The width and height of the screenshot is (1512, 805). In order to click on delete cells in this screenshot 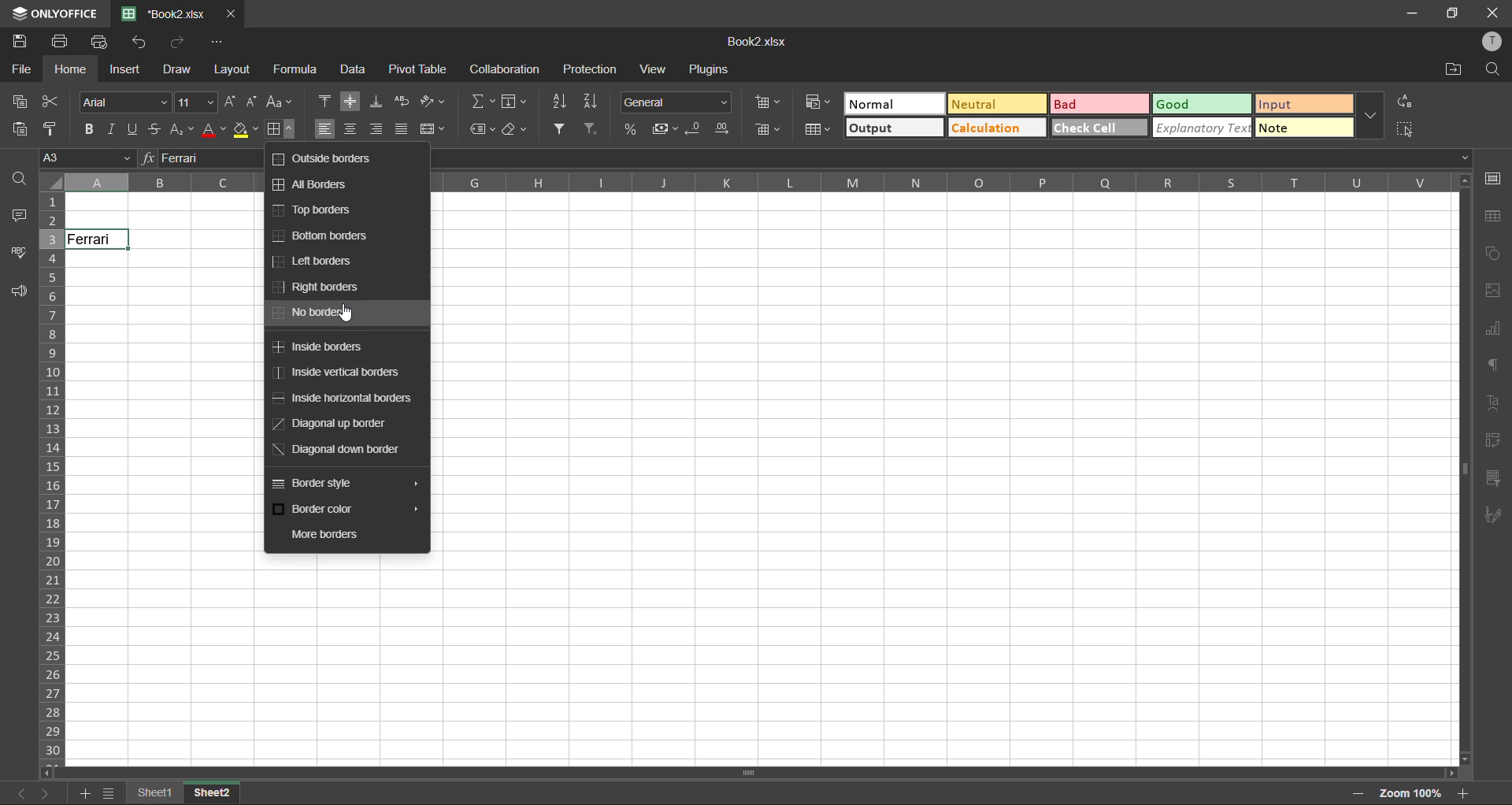, I will do `click(768, 129)`.